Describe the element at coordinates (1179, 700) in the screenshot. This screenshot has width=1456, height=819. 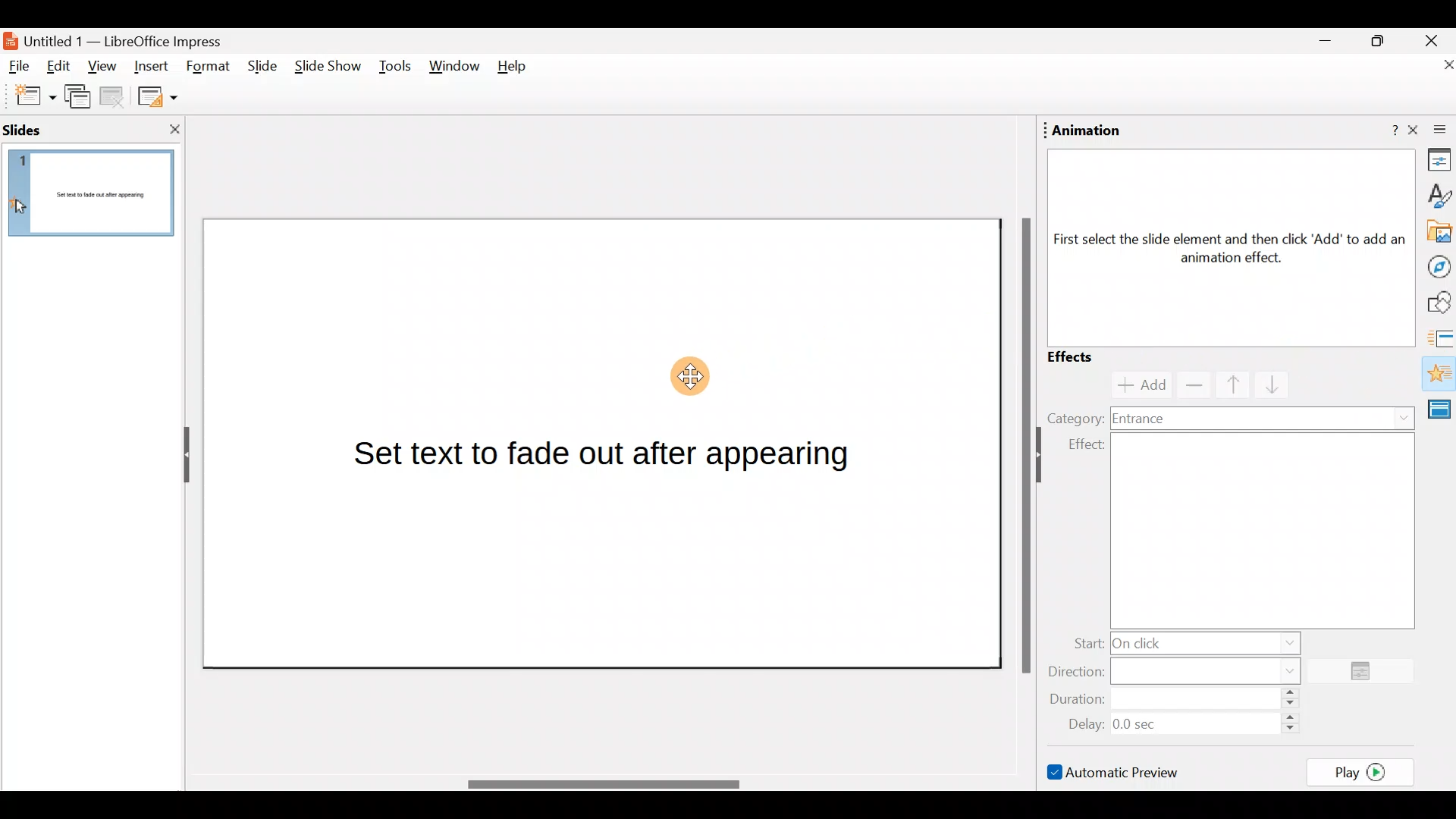
I see `Duration` at that location.